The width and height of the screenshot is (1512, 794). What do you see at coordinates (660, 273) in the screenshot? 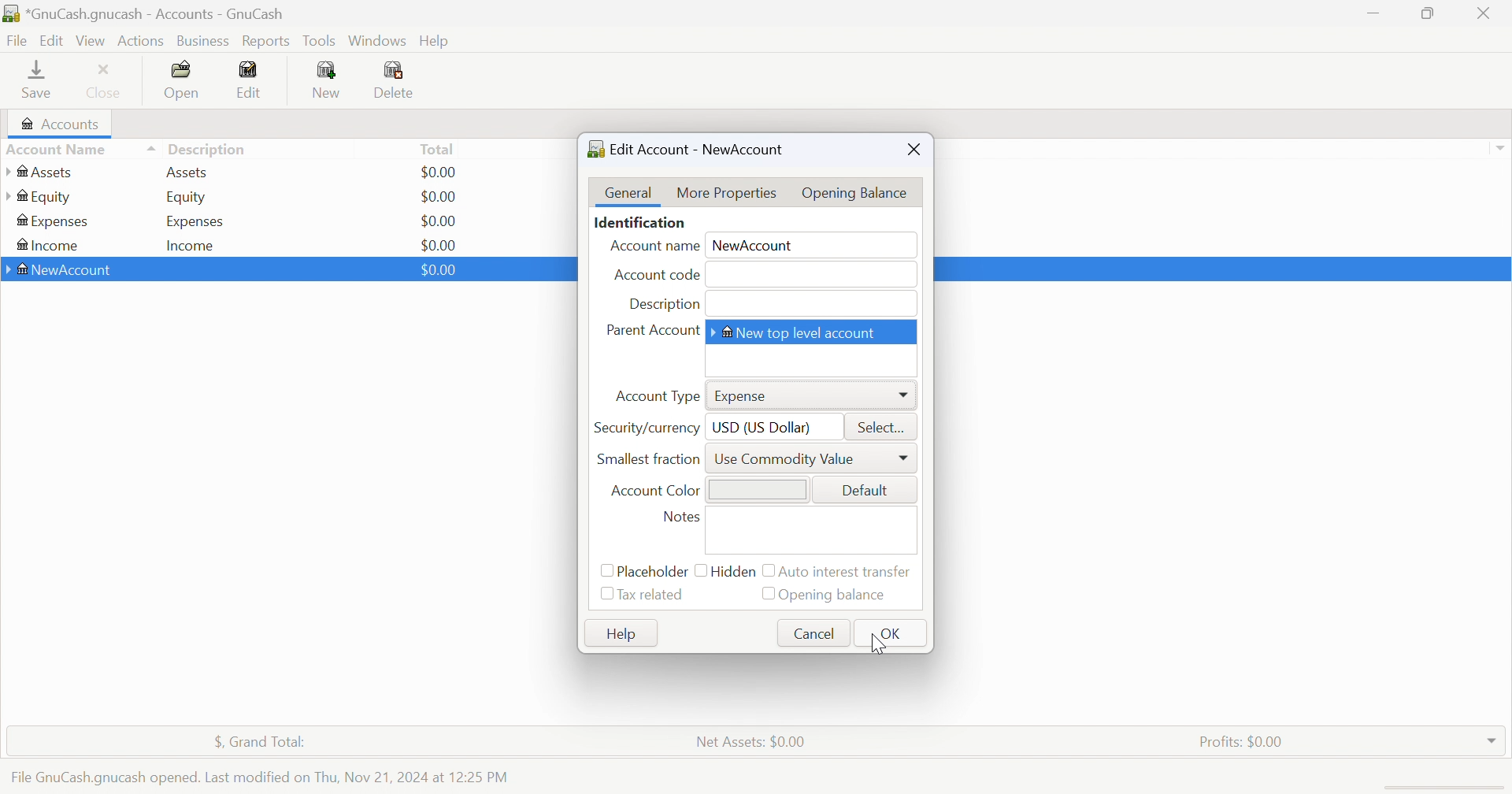
I see `Account code` at bounding box center [660, 273].